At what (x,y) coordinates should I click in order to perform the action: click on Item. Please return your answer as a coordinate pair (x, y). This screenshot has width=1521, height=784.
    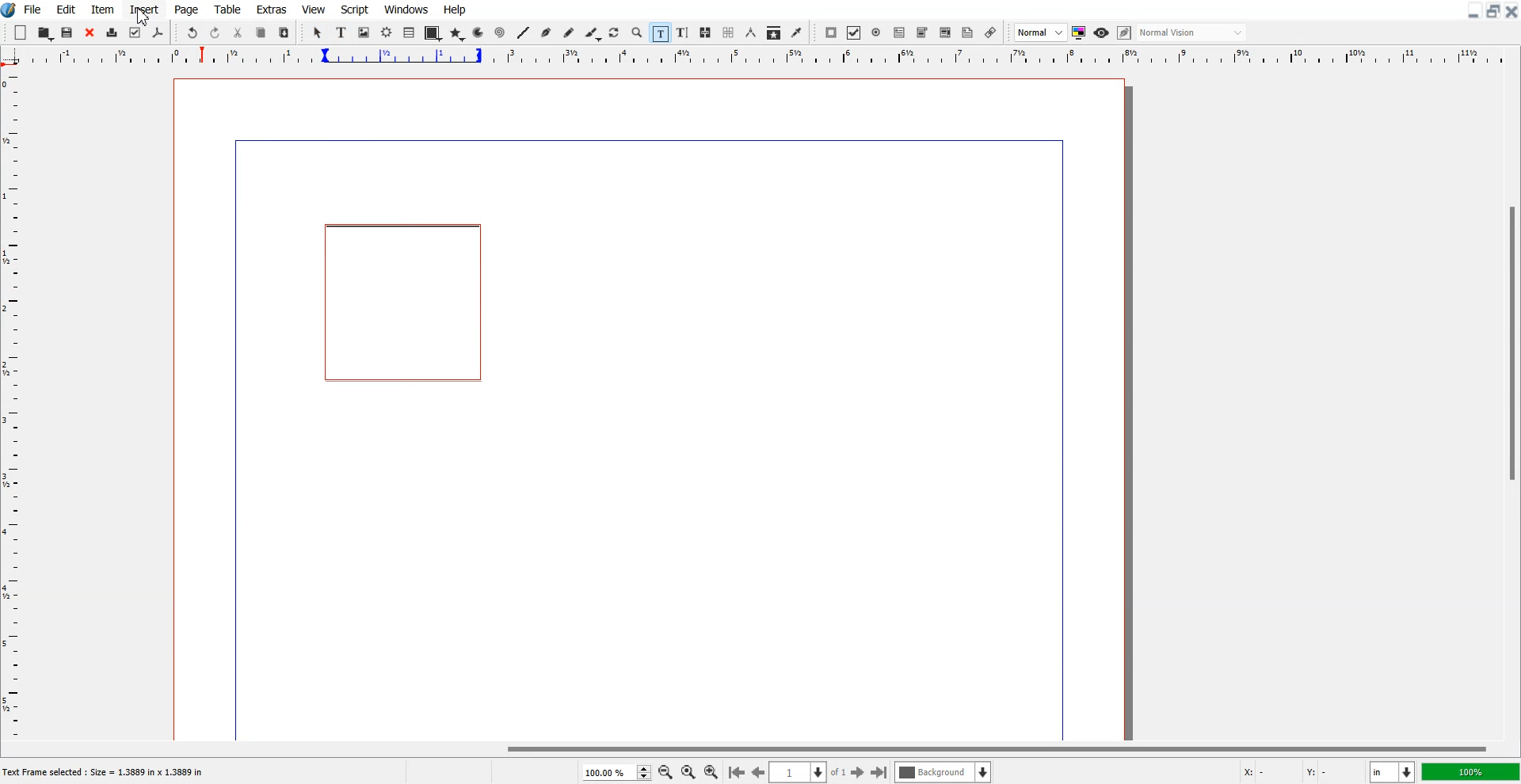
    Looking at the image, I should click on (102, 10).